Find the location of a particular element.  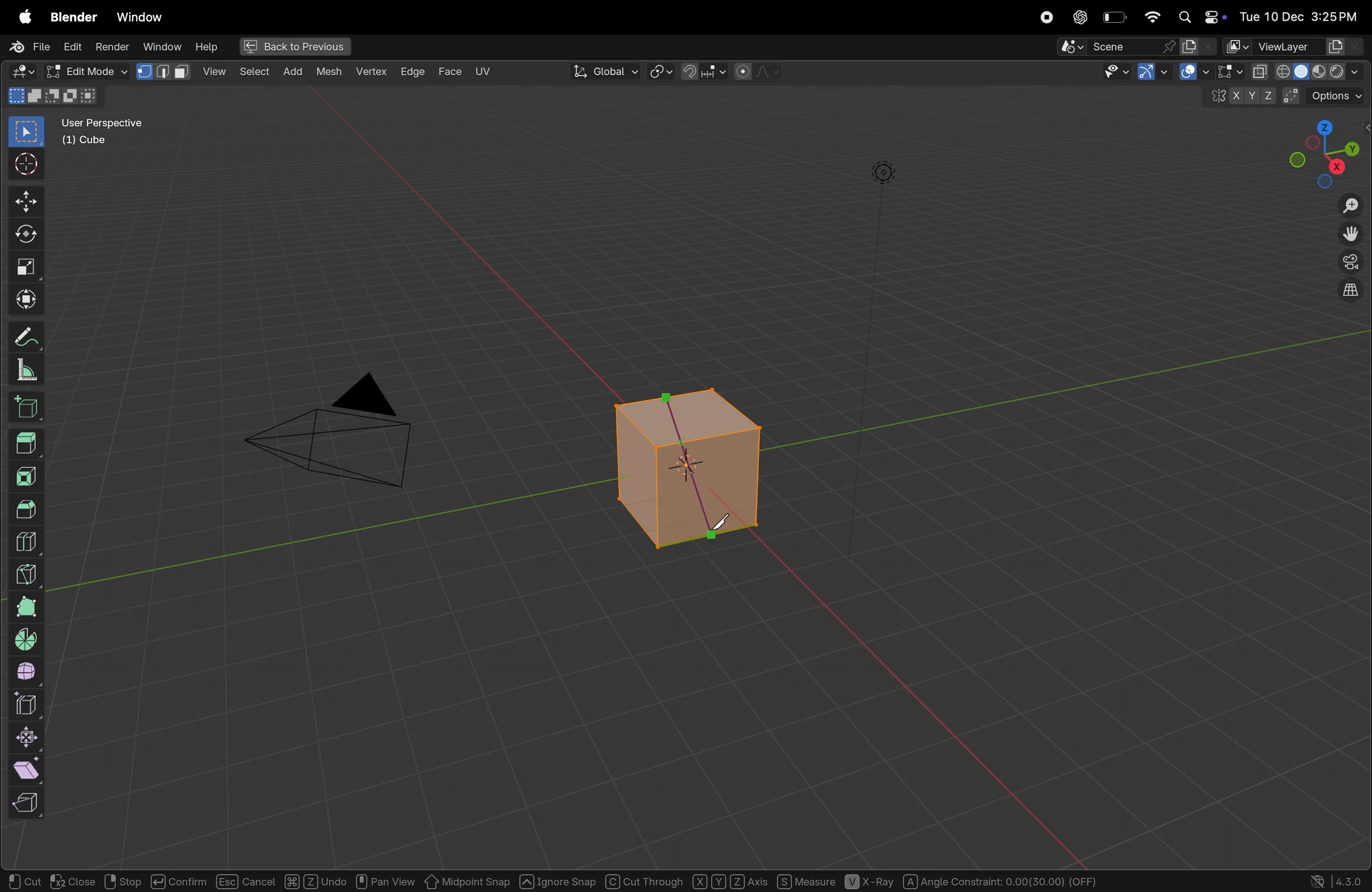

Confirm is located at coordinates (177, 880).